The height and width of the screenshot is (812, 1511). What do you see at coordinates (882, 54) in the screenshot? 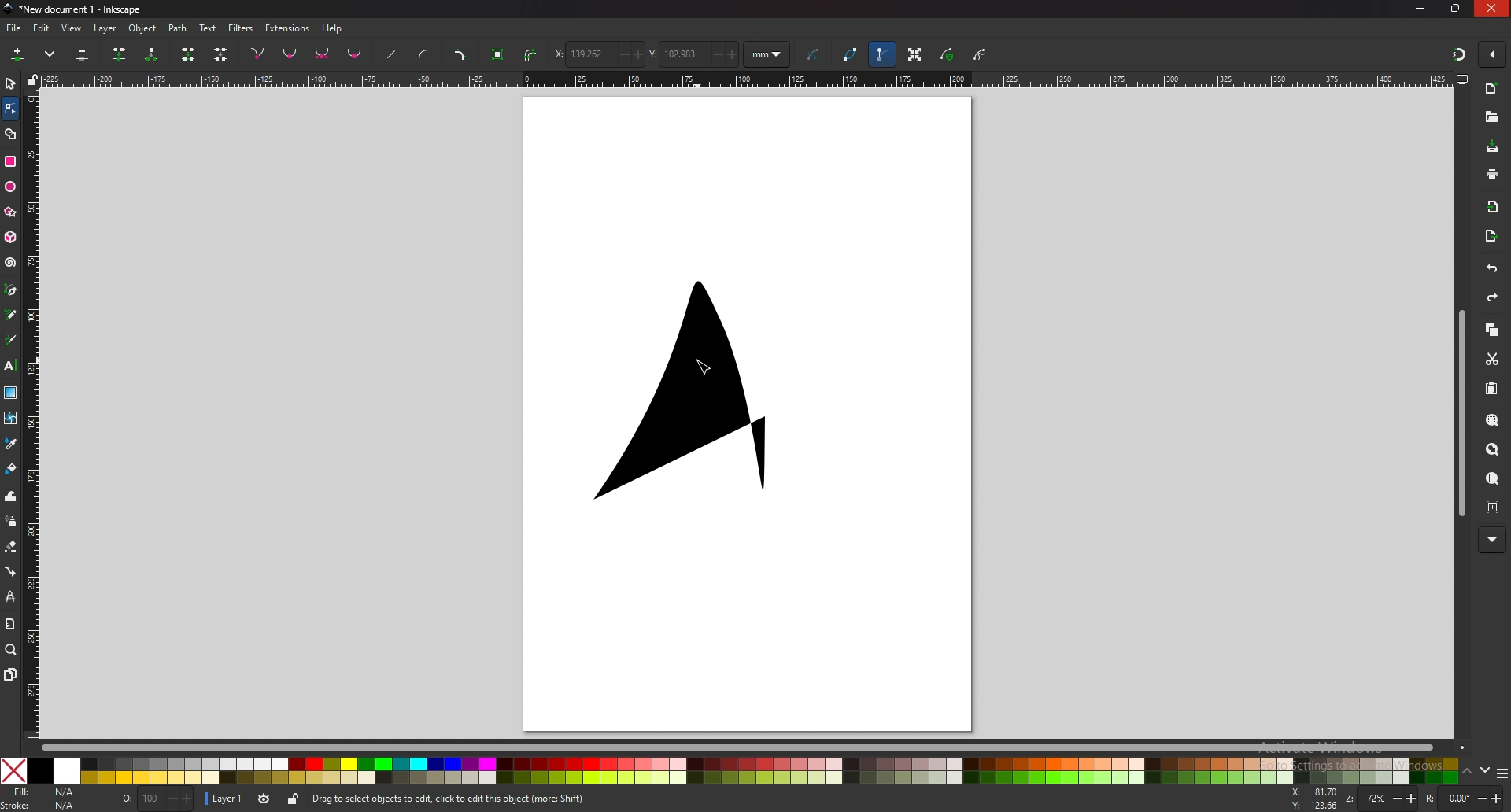
I see `show bezier handle` at bounding box center [882, 54].